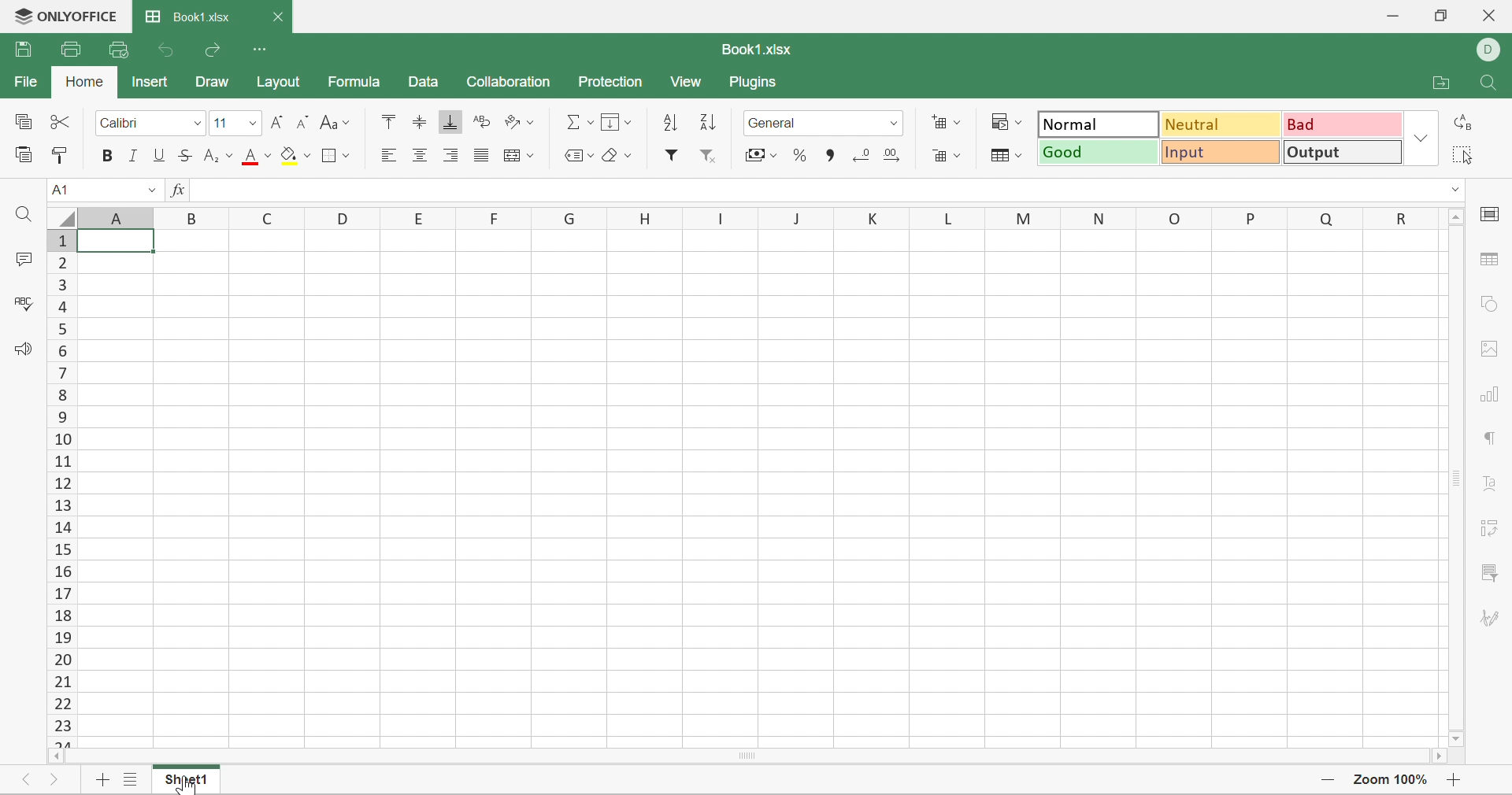 The image size is (1512, 795). What do you see at coordinates (169, 52) in the screenshot?
I see `Undo` at bounding box center [169, 52].